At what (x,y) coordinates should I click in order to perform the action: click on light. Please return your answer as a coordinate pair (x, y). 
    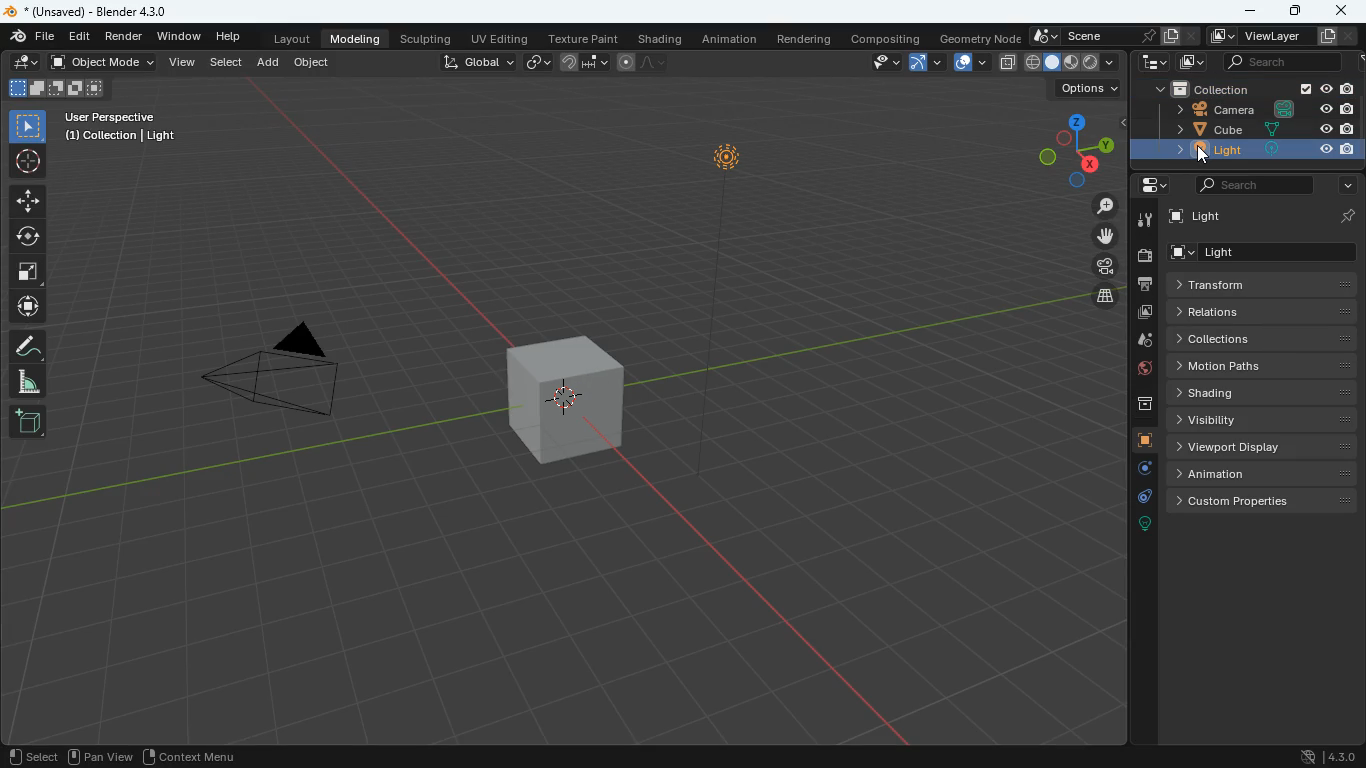
    Looking at the image, I should click on (1265, 216).